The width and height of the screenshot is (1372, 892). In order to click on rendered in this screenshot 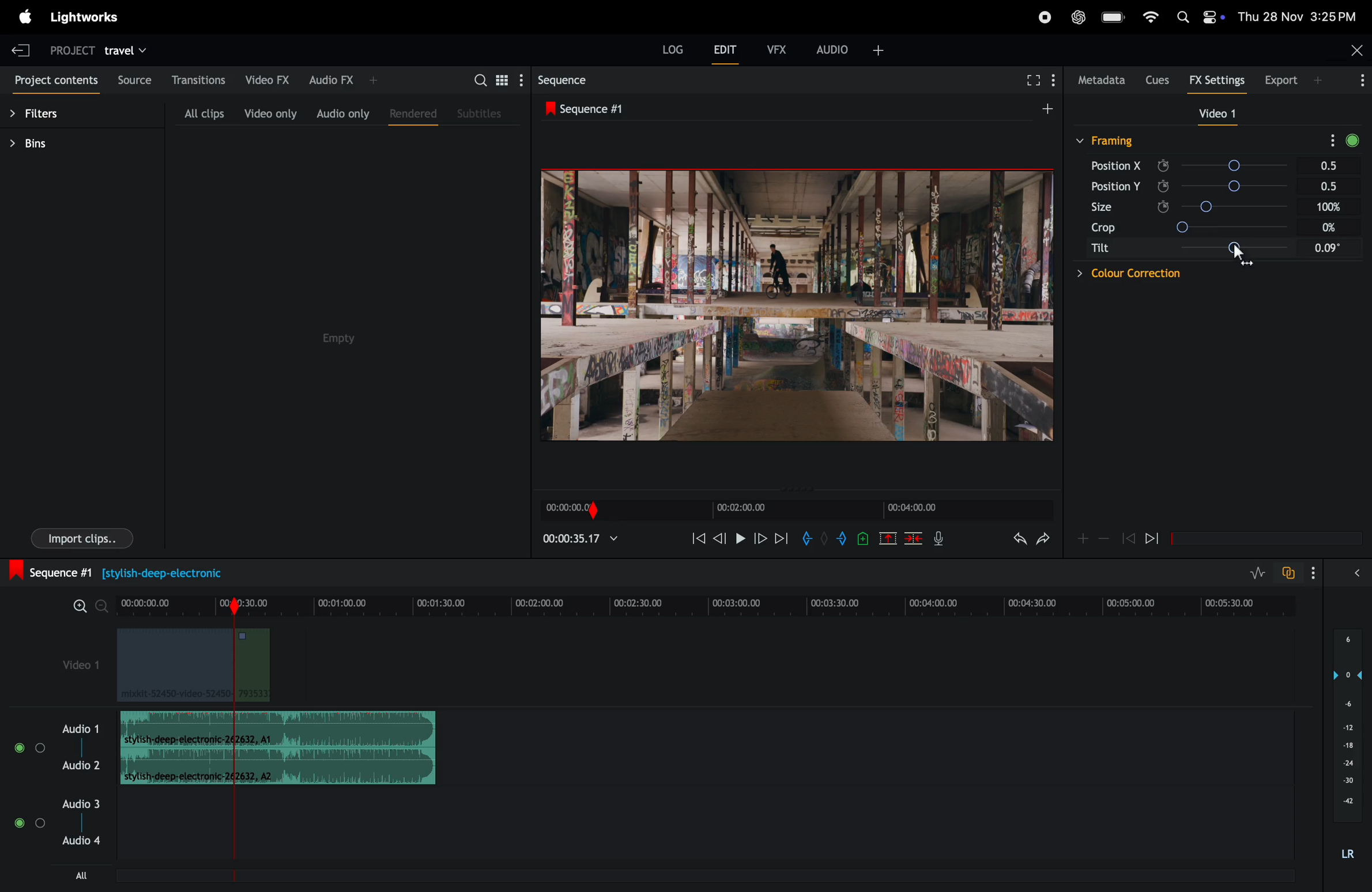, I will do `click(412, 116)`.